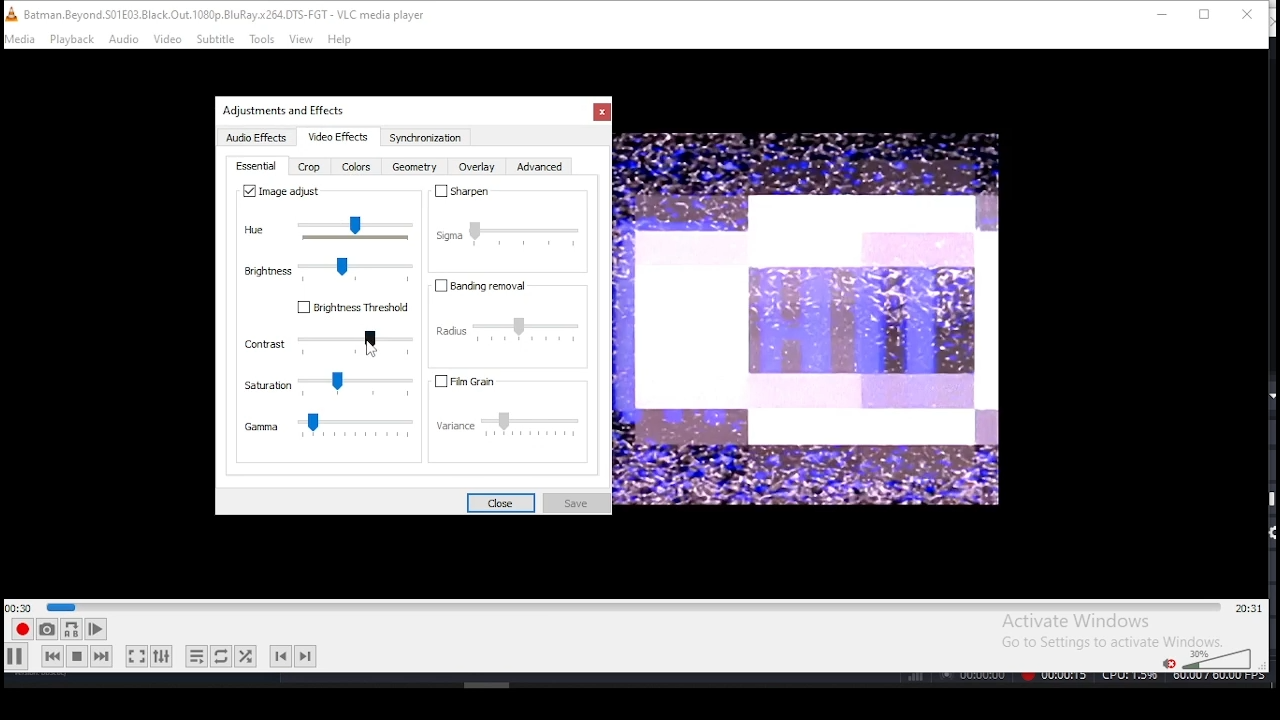 The height and width of the screenshot is (720, 1280). I want to click on next chapter, so click(307, 654).